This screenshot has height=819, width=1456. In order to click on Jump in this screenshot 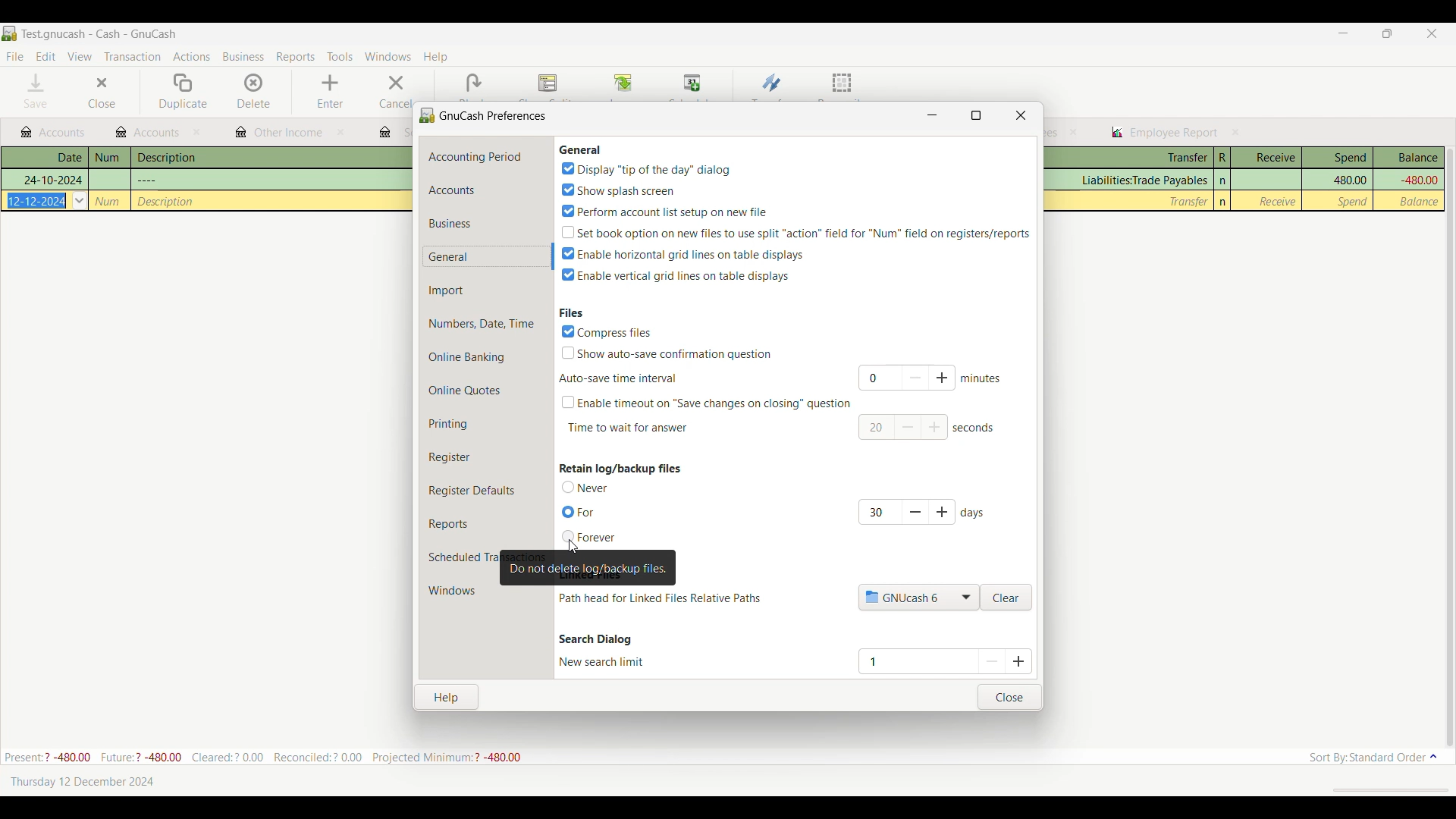, I will do `click(623, 84)`.